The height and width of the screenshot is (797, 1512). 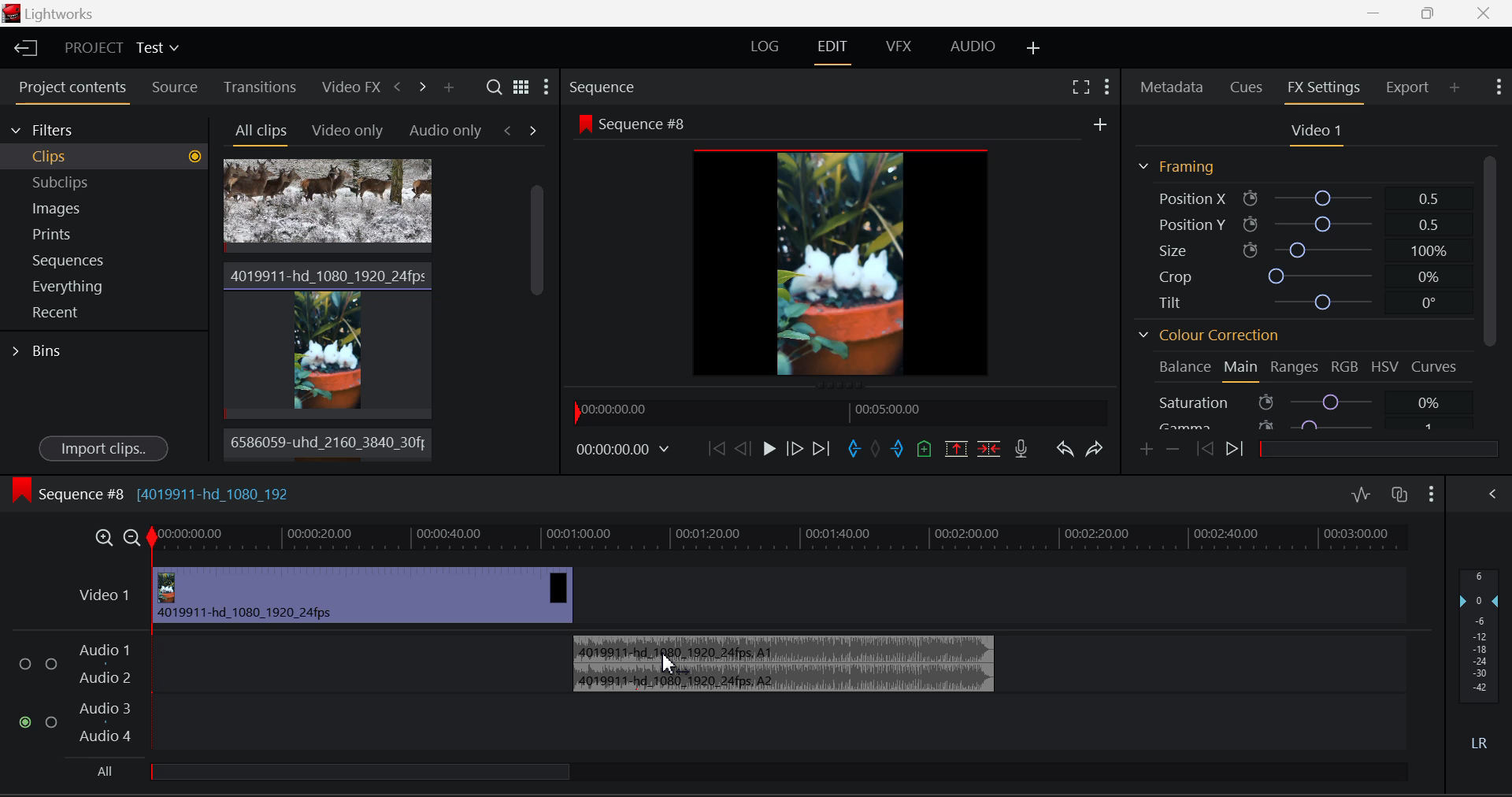 What do you see at coordinates (833, 49) in the screenshot?
I see `EDIT Layout` at bounding box center [833, 49].